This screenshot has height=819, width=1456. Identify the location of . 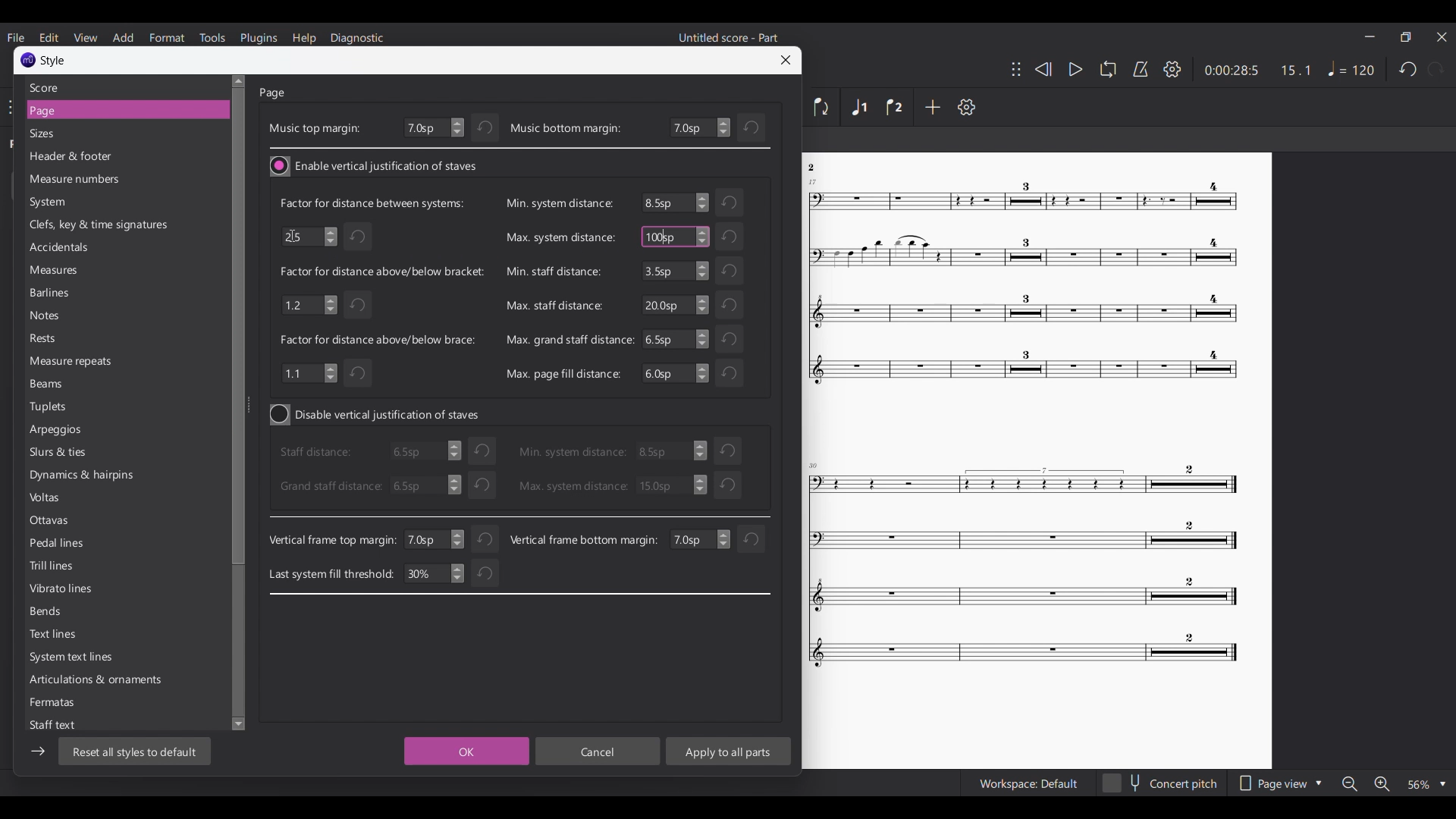
(1021, 570).